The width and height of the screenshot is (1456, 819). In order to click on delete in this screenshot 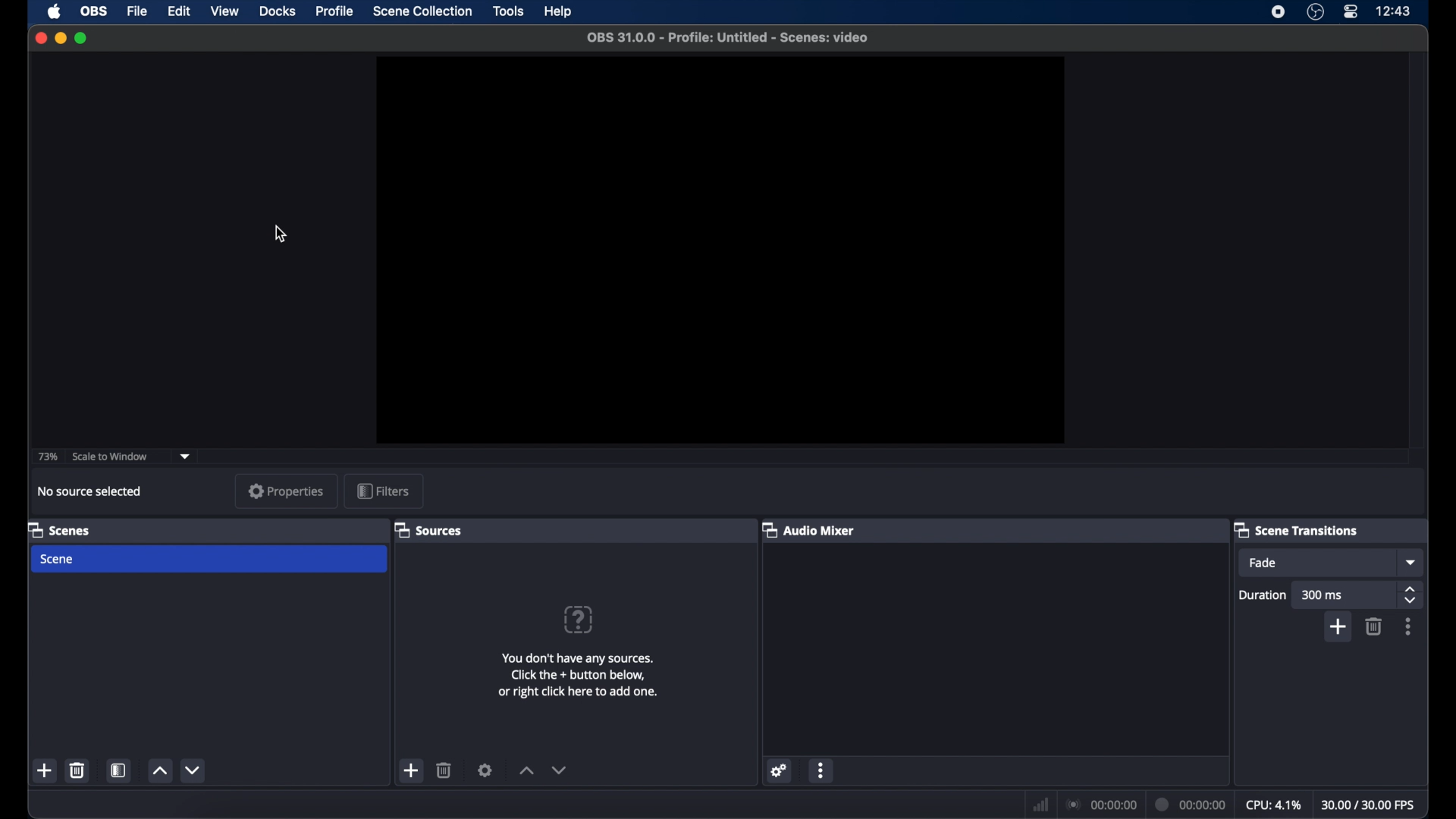, I will do `click(446, 770)`.